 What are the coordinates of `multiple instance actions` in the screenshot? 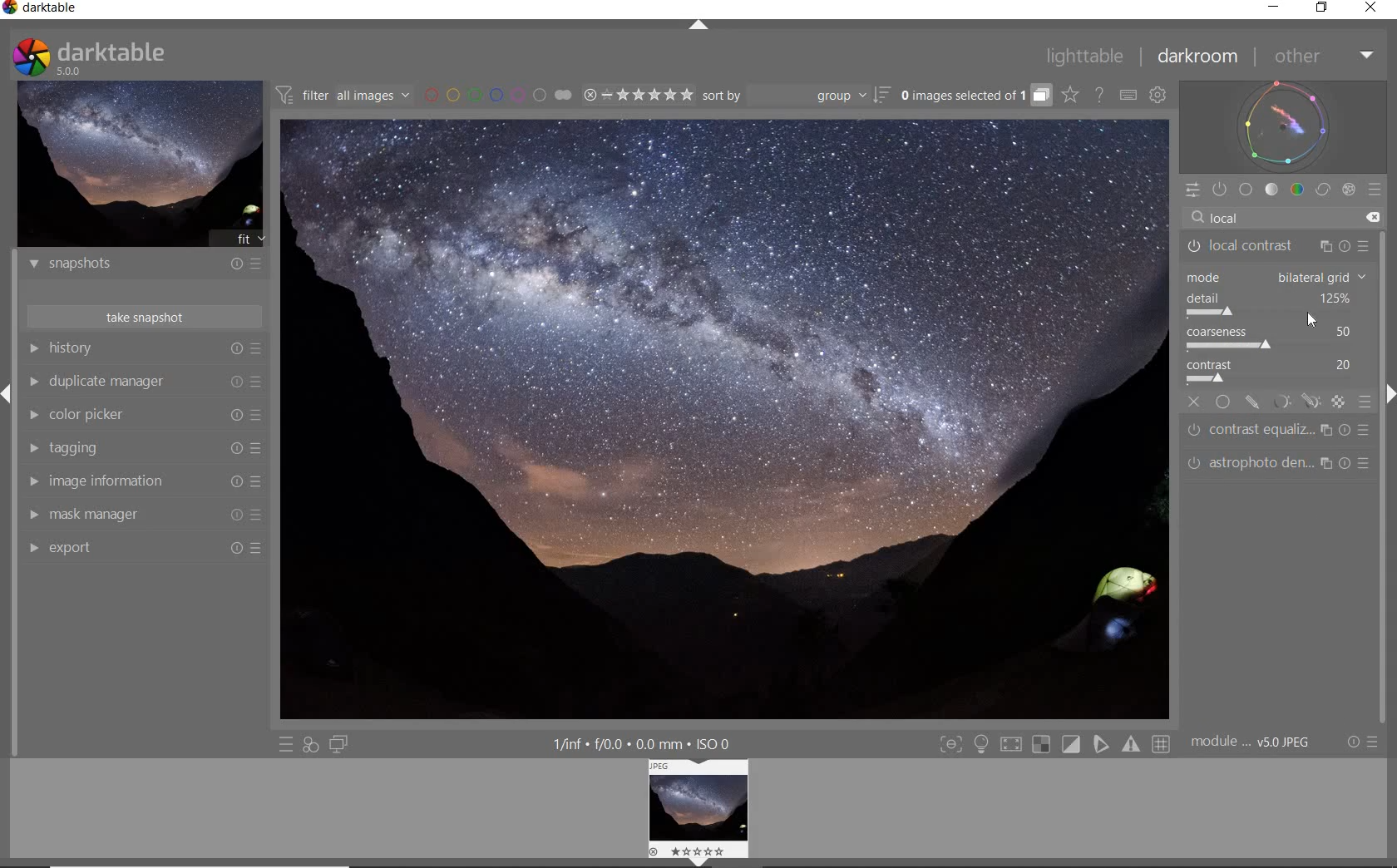 It's located at (1326, 428).